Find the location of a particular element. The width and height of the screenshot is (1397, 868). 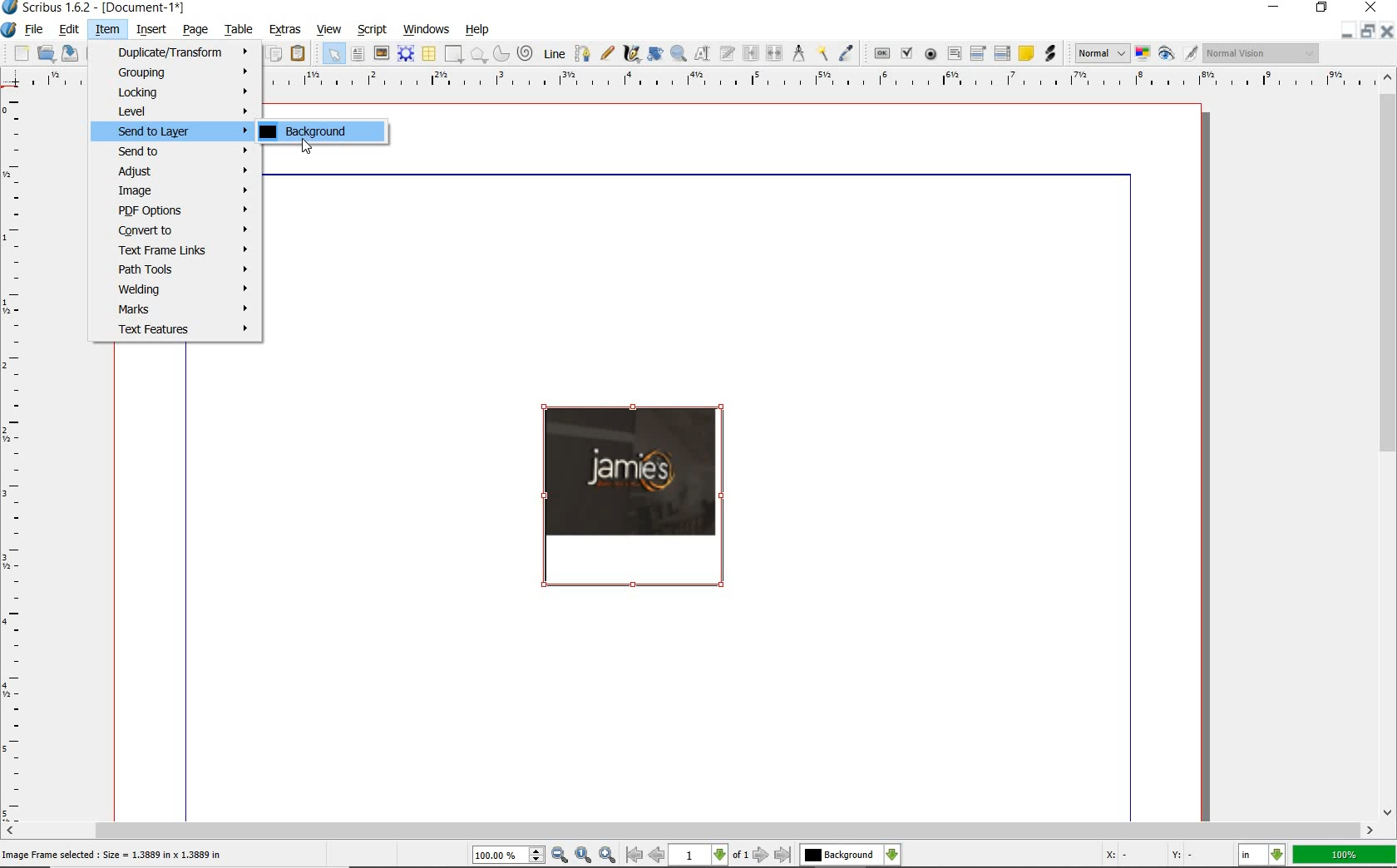

insert is located at coordinates (152, 29).